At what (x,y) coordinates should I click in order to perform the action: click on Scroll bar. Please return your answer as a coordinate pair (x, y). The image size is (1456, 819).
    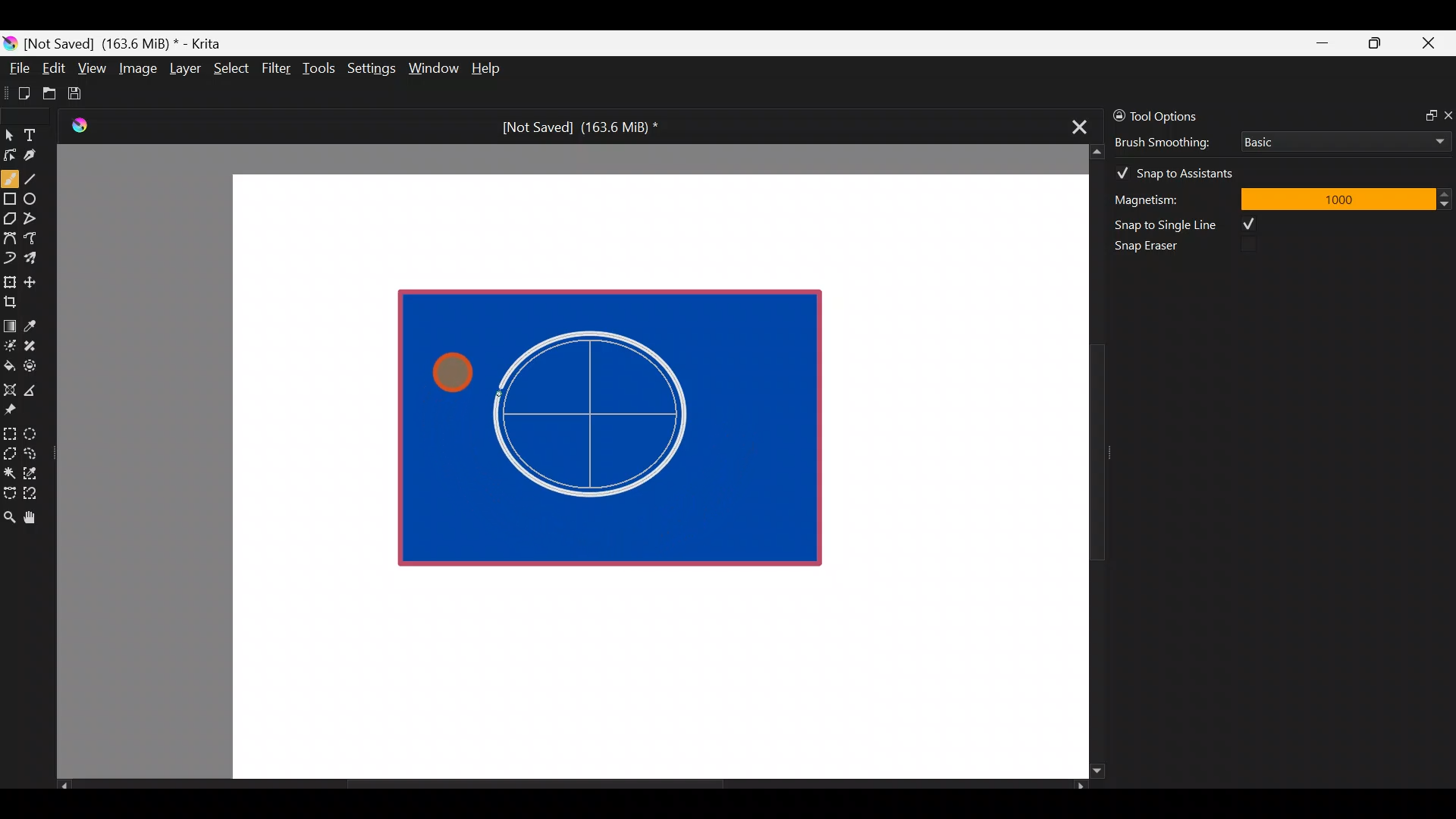
    Looking at the image, I should click on (1086, 462).